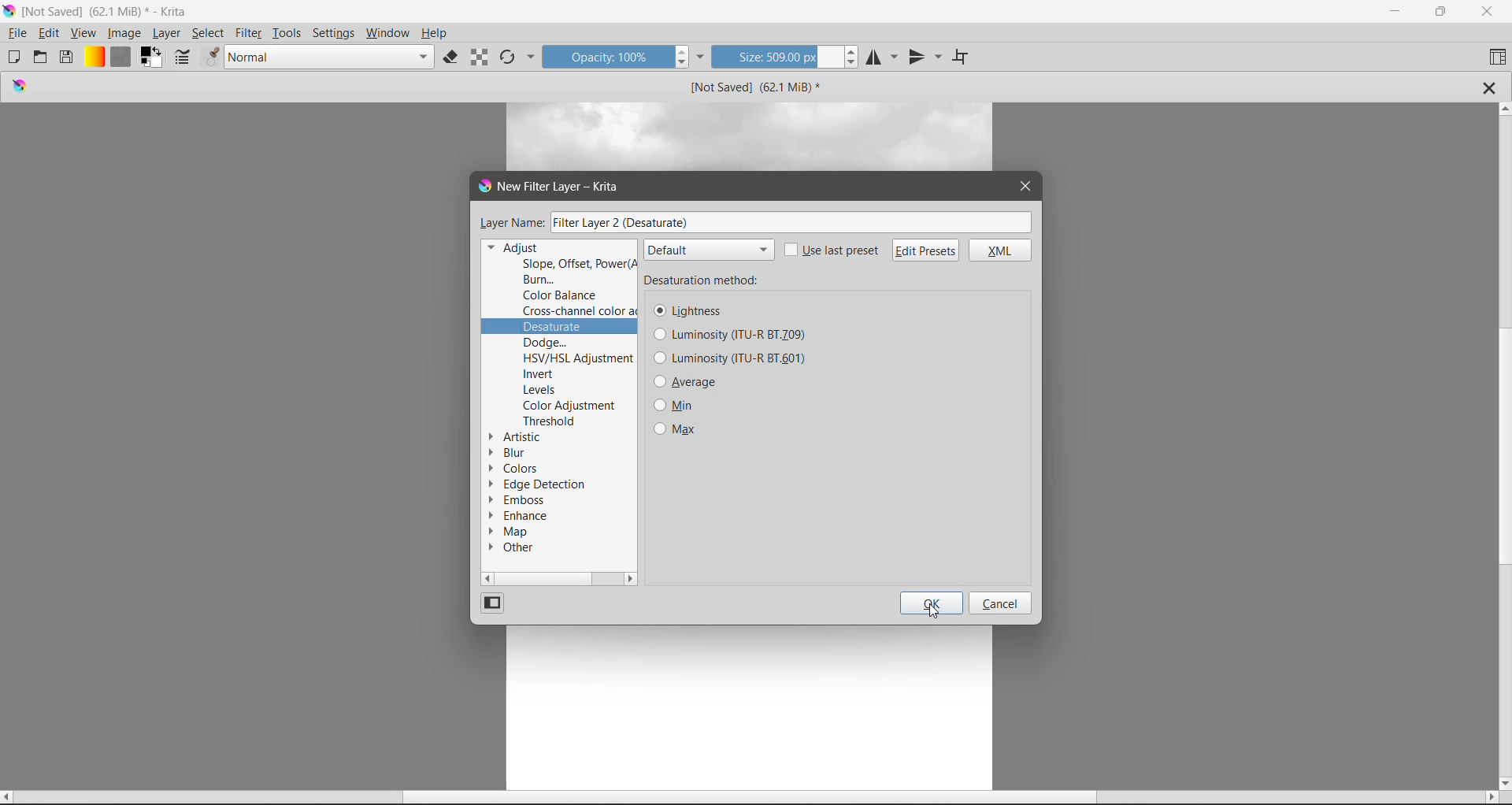  What do you see at coordinates (150, 57) in the screenshot?
I see `Set the background and foreground colro selector` at bounding box center [150, 57].